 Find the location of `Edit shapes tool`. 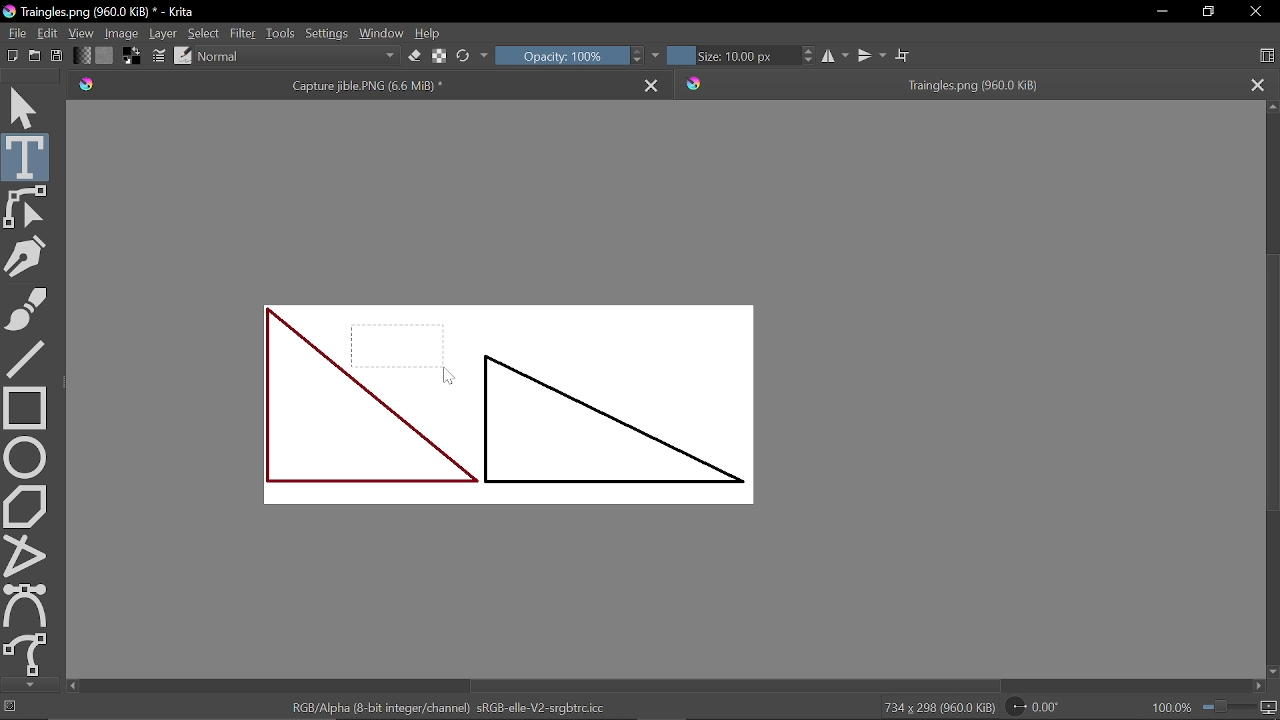

Edit shapes tool is located at coordinates (26, 207).